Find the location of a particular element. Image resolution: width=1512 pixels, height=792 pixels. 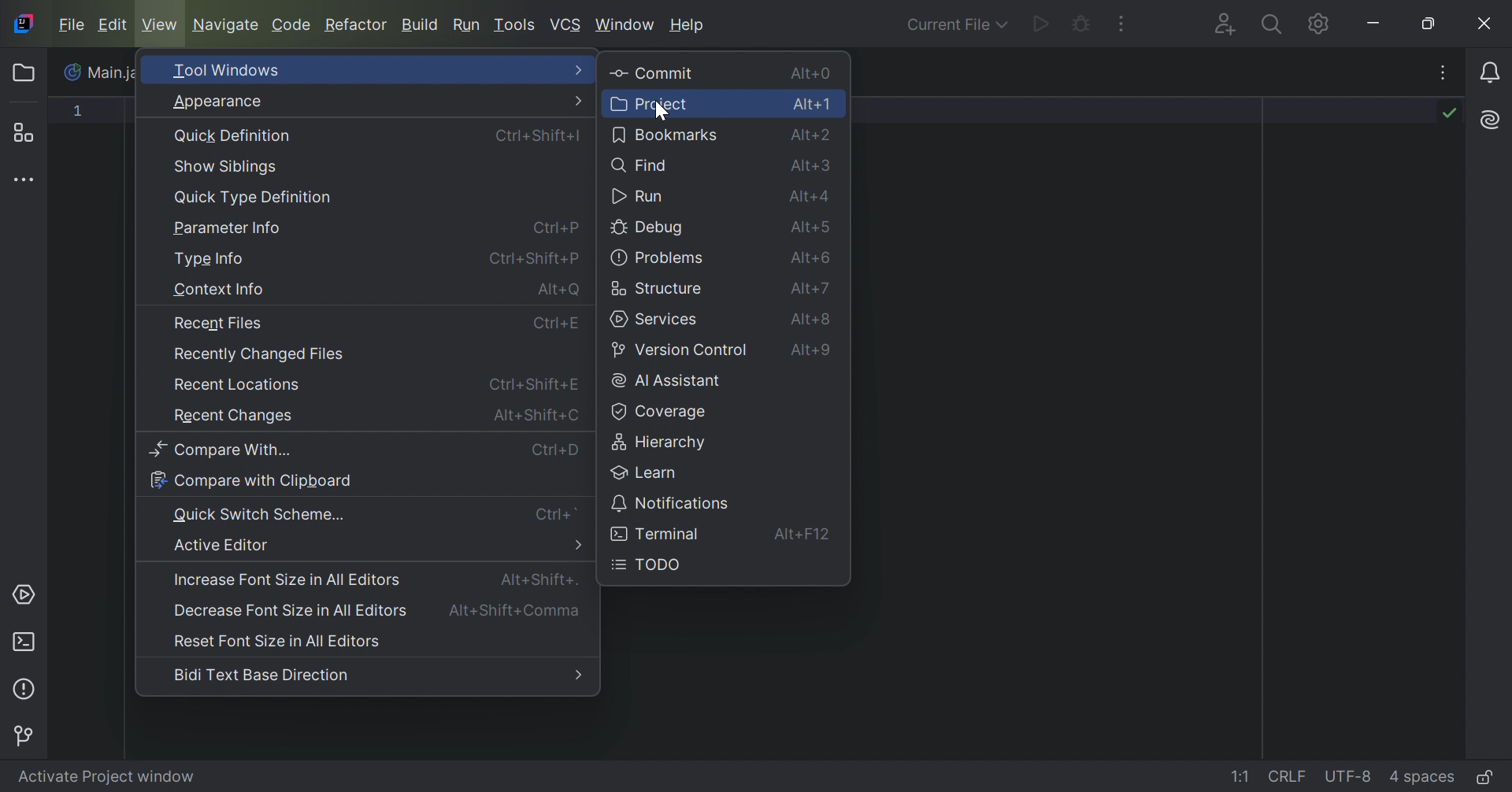

Icon is located at coordinates (74, 72).